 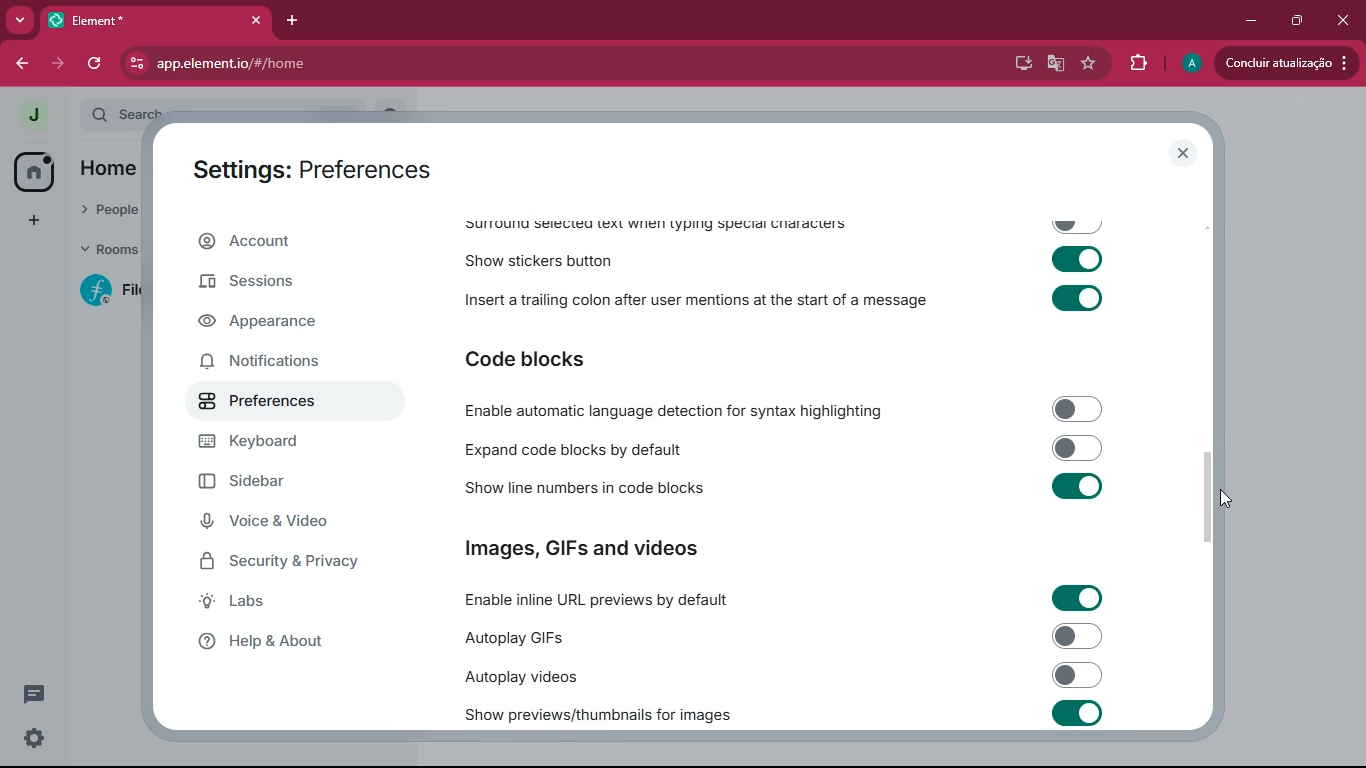 What do you see at coordinates (1214, 498) in the screenshot?
I see `cursor` at bounding box center [1214, 498].